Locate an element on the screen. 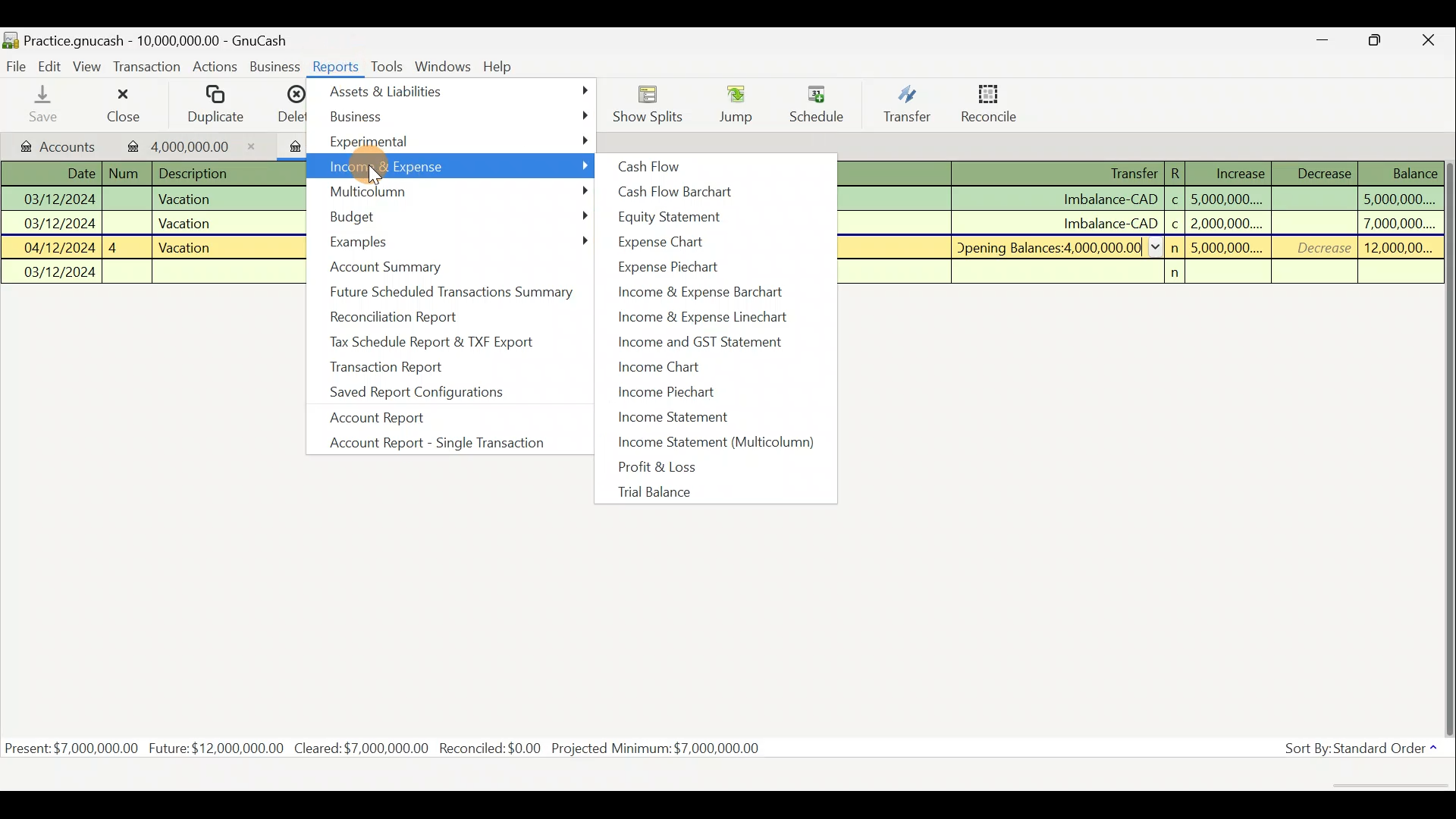 The width and height of the screenshot is (1456, 819). Close is located at coordinates (1434, 40).